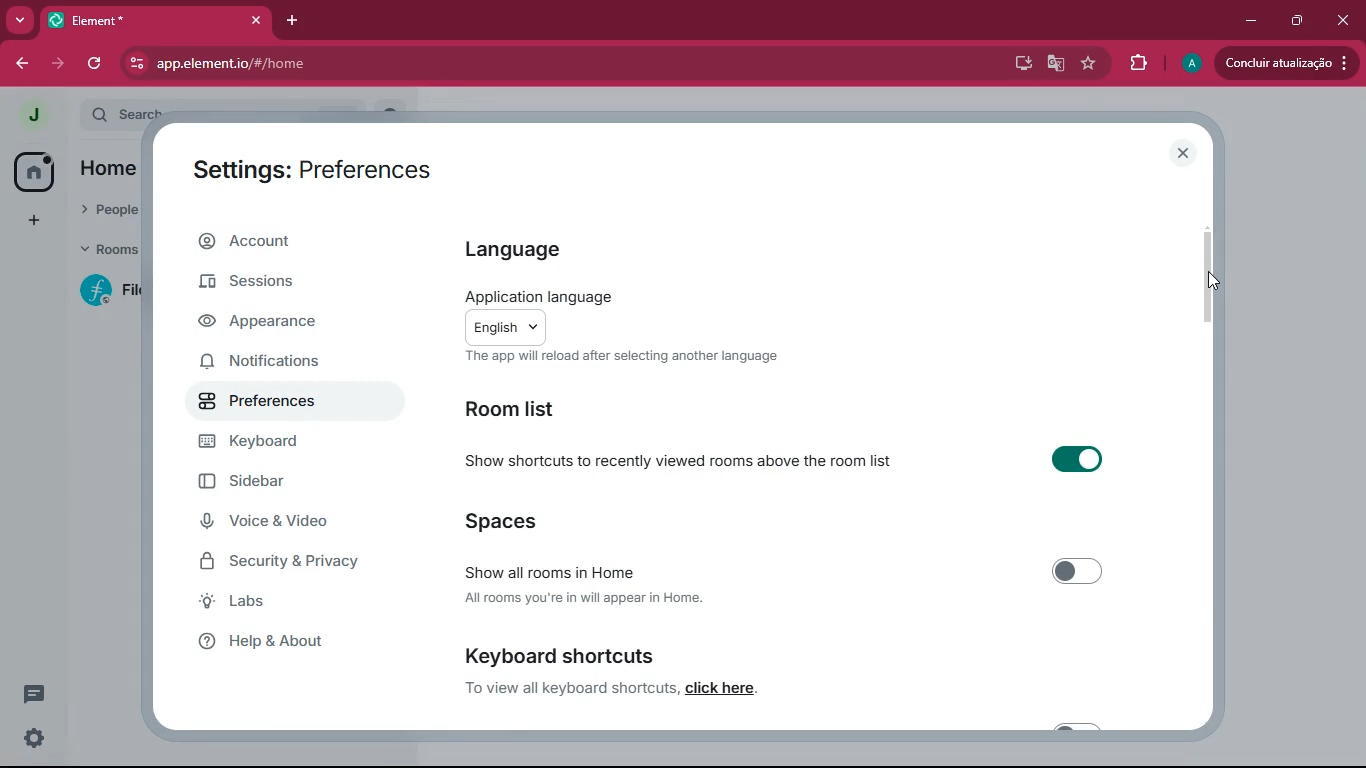 The height and width of the screenshot is (768, 1366). Describe the element at coordinates (21, 20) in the screenshot. I see `more` at that location.